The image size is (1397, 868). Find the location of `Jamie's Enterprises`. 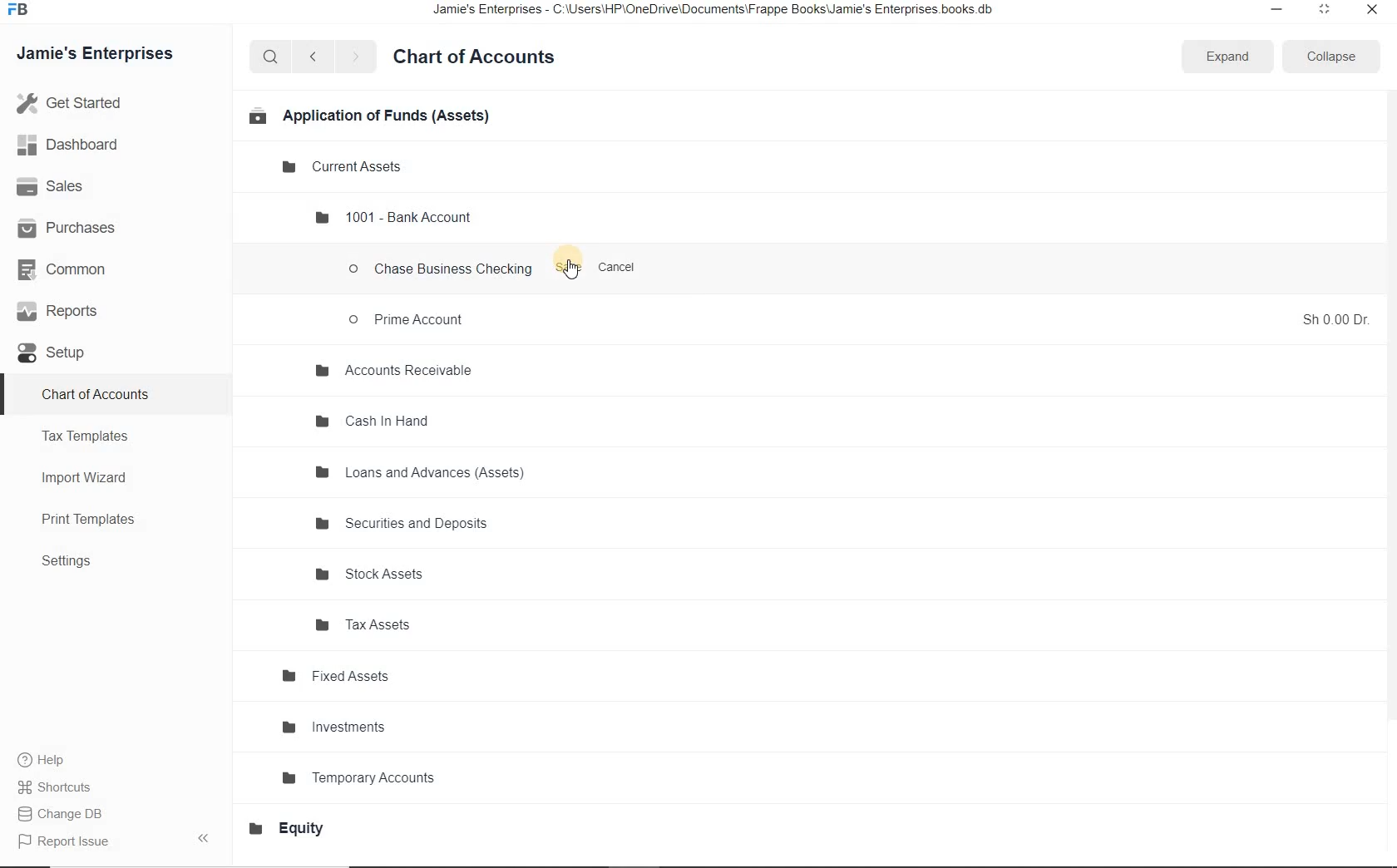

Jamie's Enterprises is located at coordinates (101, 55).